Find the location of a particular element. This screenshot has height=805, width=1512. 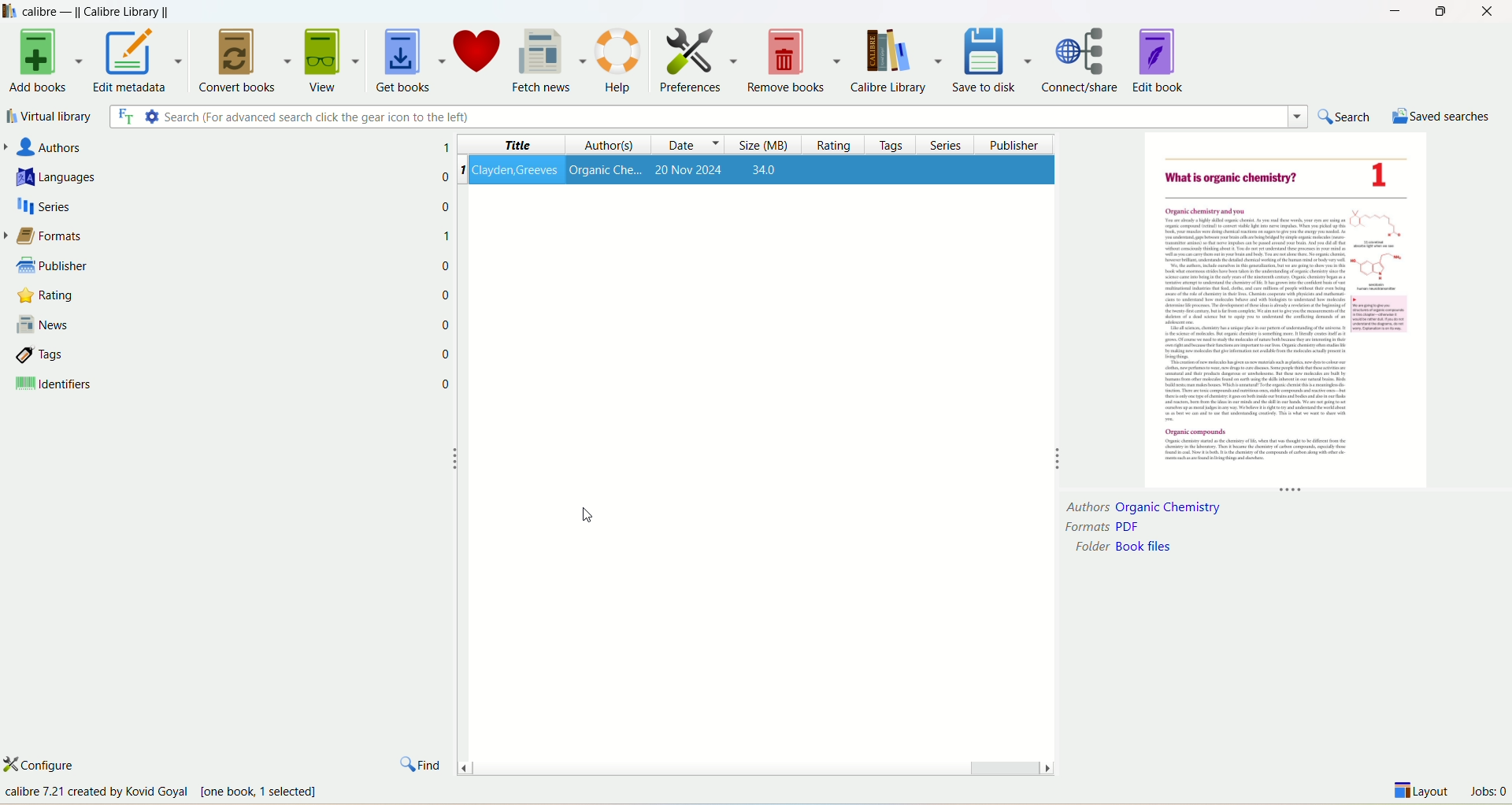

virtual library is located at coordinates (50, 116).